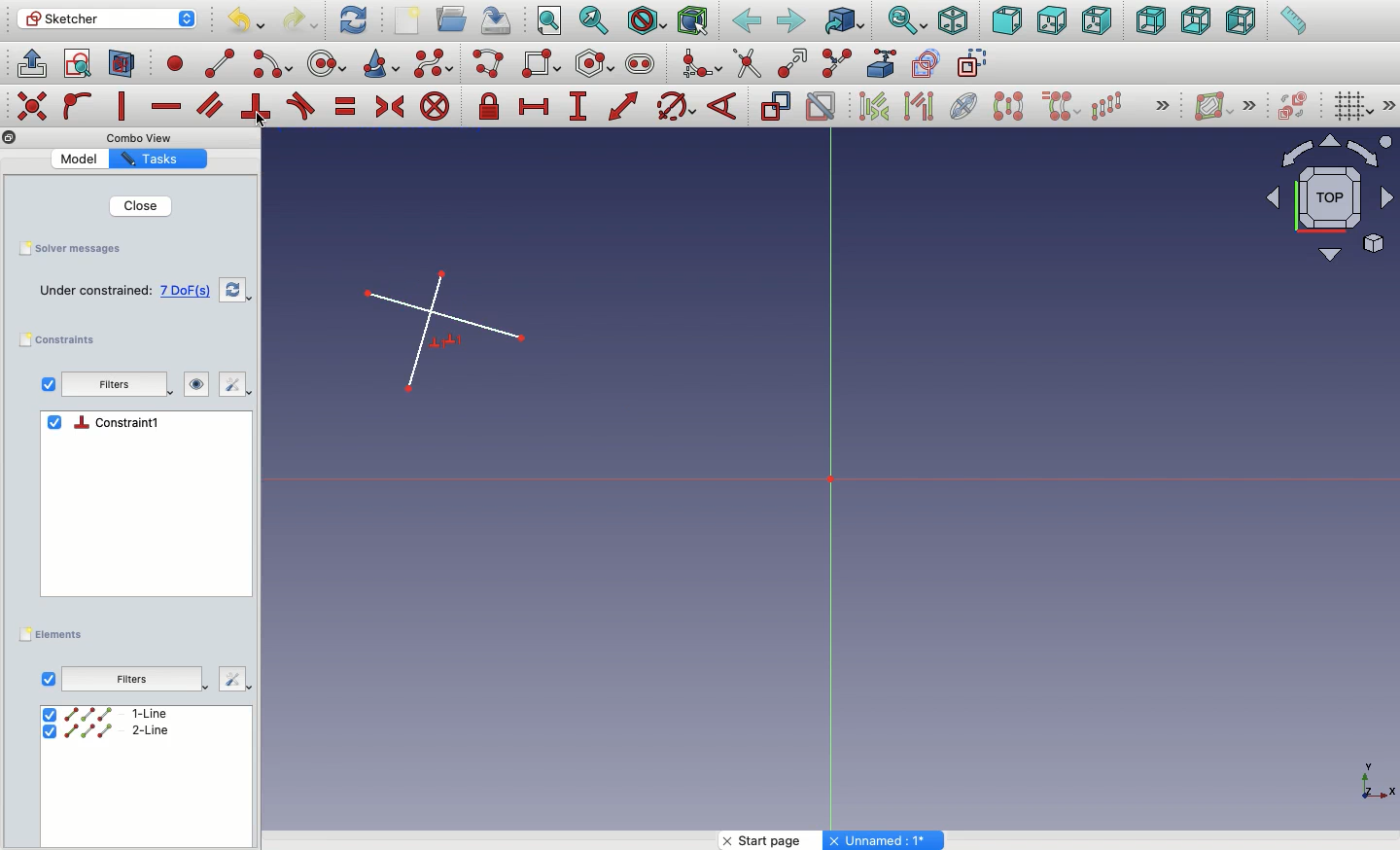 The image size is (1400, 850). I want to click on Constrain symmetrical, so click(390, 107).